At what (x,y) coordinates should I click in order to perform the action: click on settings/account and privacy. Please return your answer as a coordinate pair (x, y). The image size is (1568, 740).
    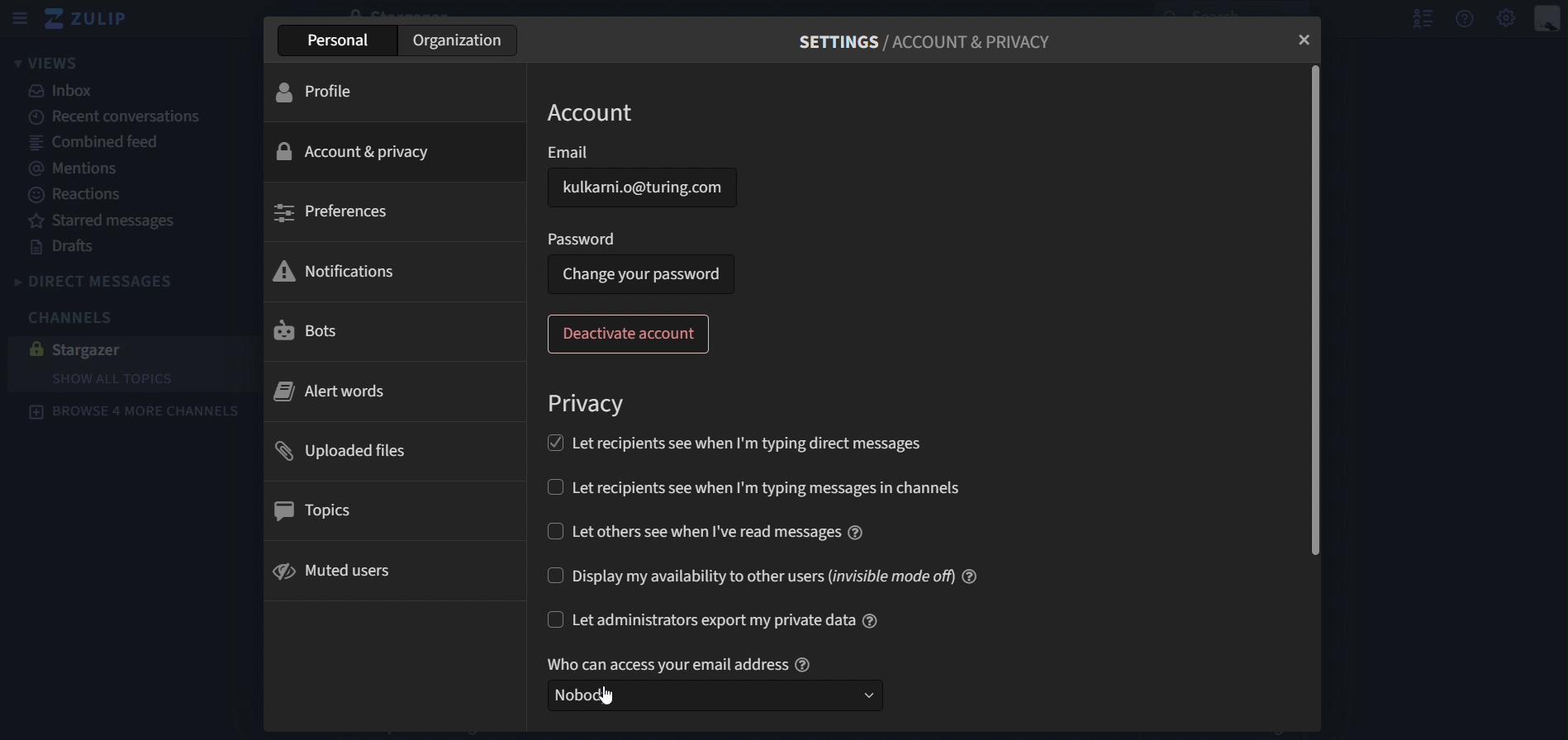
    Looking at the image, I should click on (922, 45).